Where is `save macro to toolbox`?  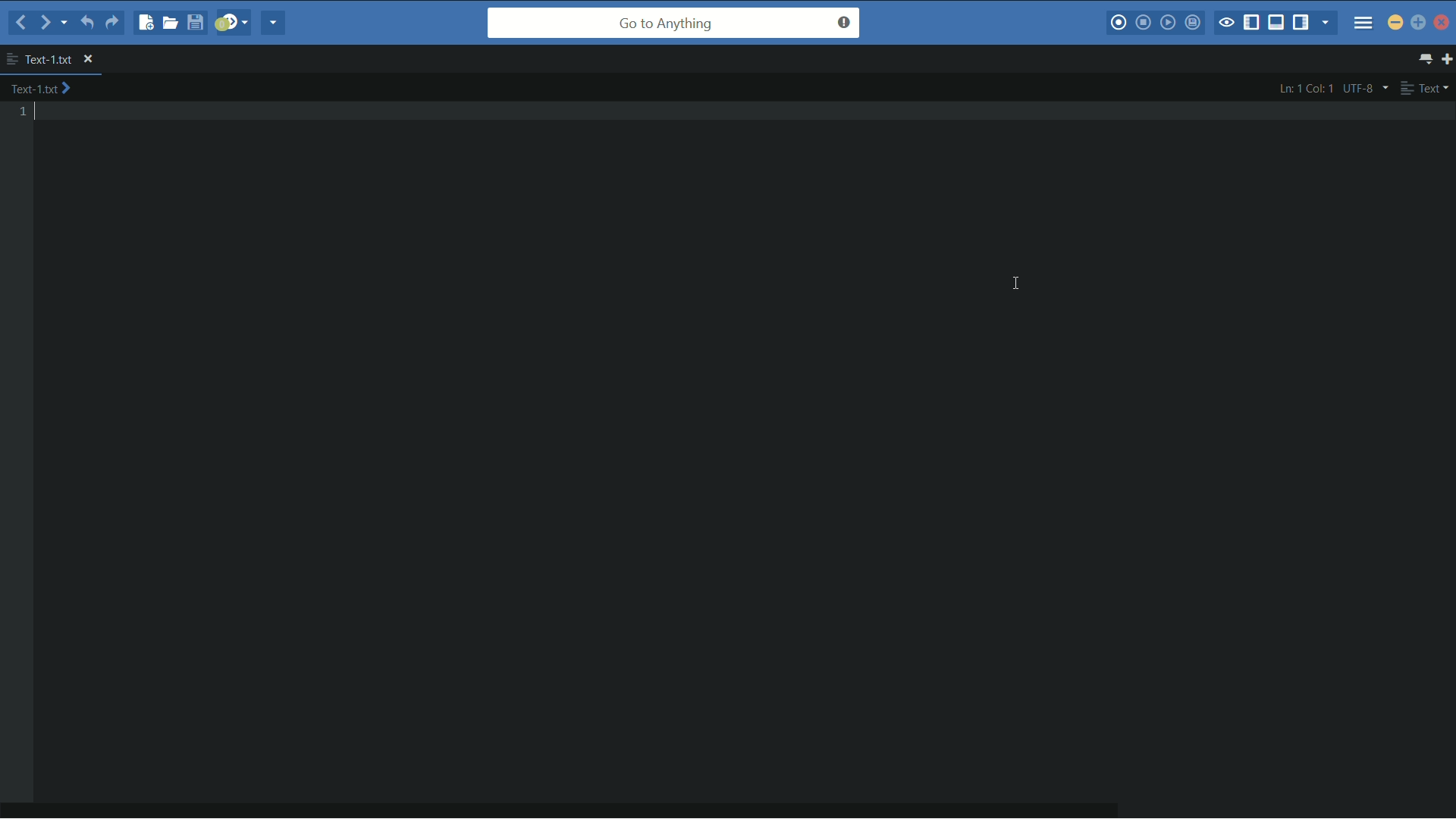 save macro to toolbox is located at coordinates (1197, 22).